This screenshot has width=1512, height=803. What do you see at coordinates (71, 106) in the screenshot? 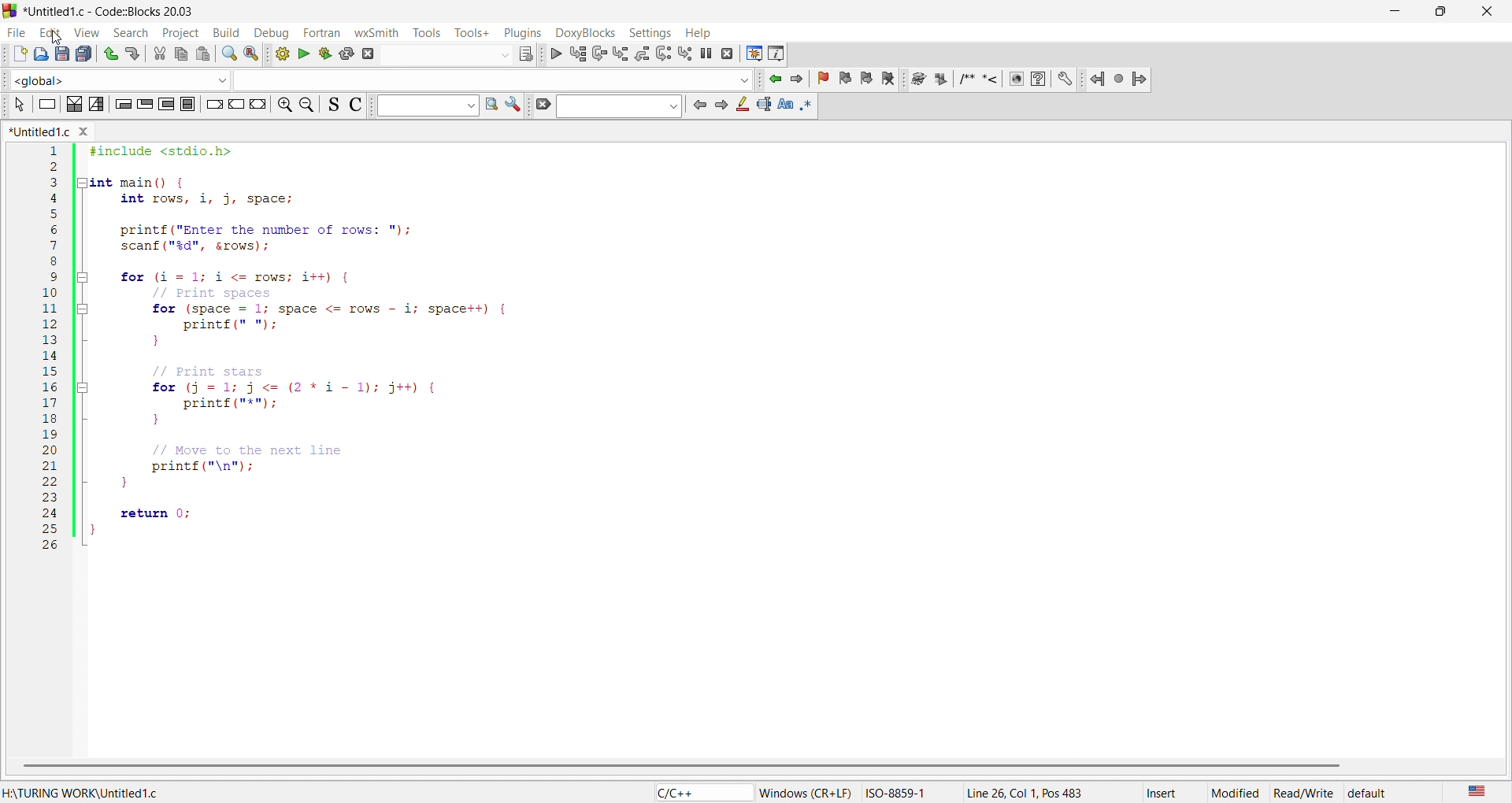
I see `icon` at bounding box center [71, 106].